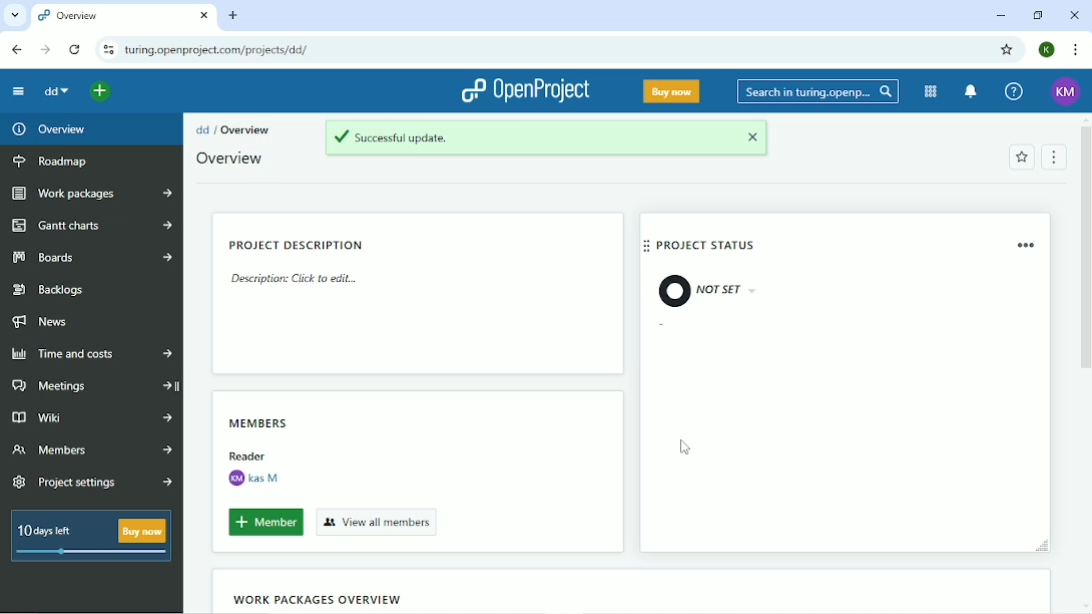 The image size is (1092, 614). What do you see at coordinates (1036, 15) in the screenshot?
I see `Restore down` at bounding box center [1036, 15].